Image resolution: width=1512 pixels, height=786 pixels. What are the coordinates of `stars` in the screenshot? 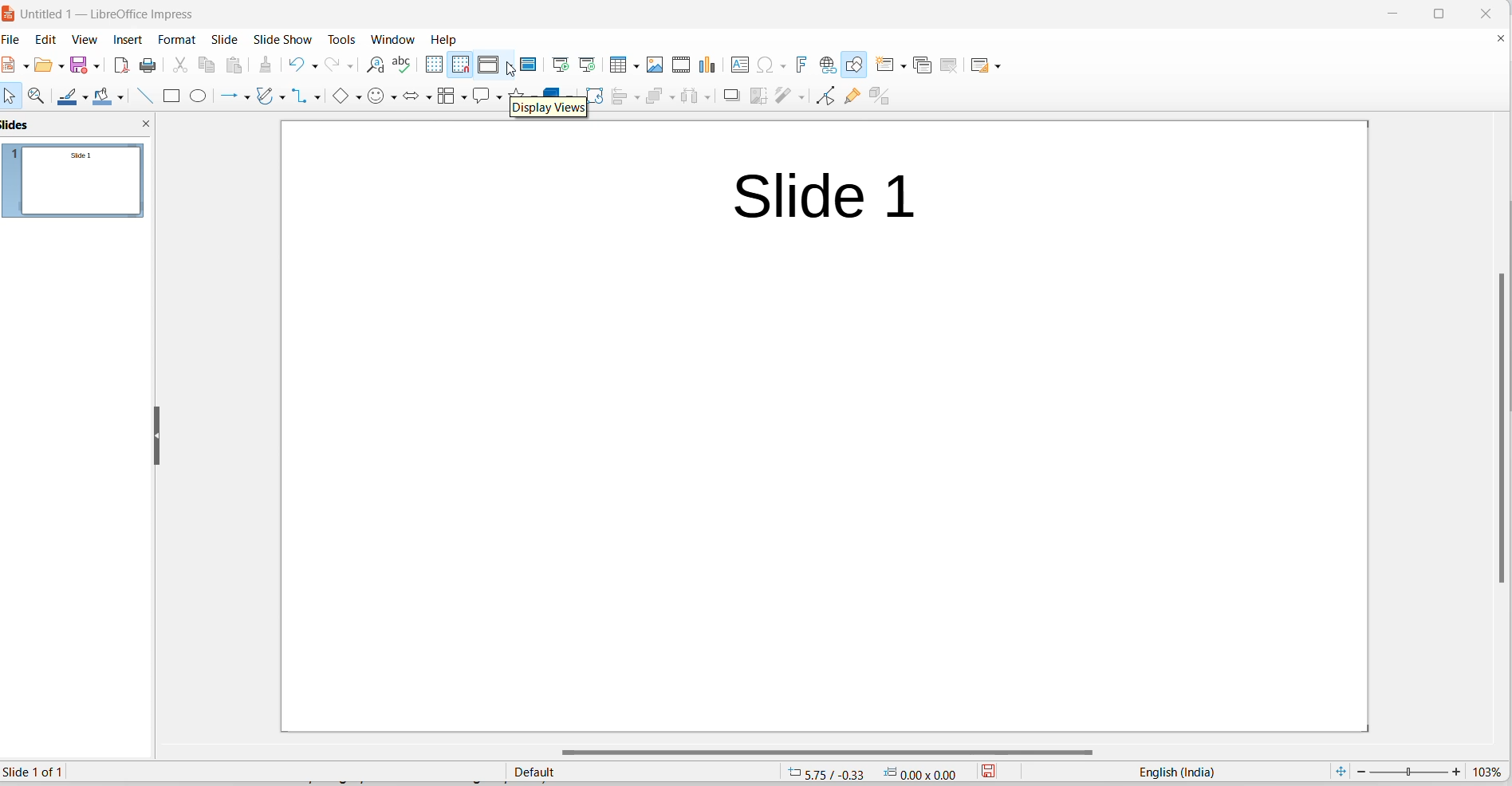 It's located at (522, 89).